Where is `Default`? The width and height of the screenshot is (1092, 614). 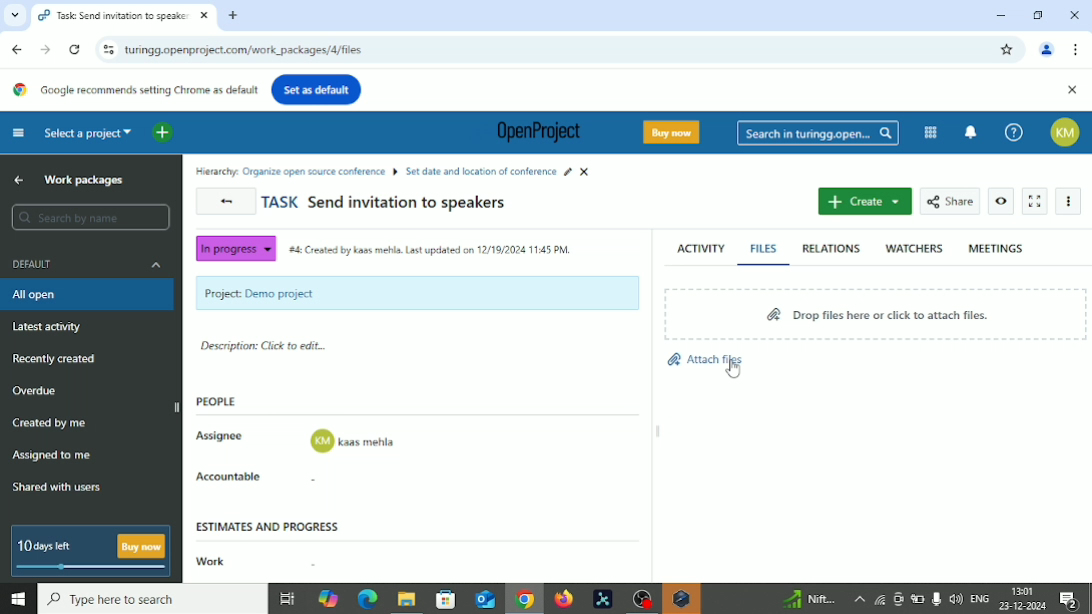 Default is located at coordinates (90, 263).